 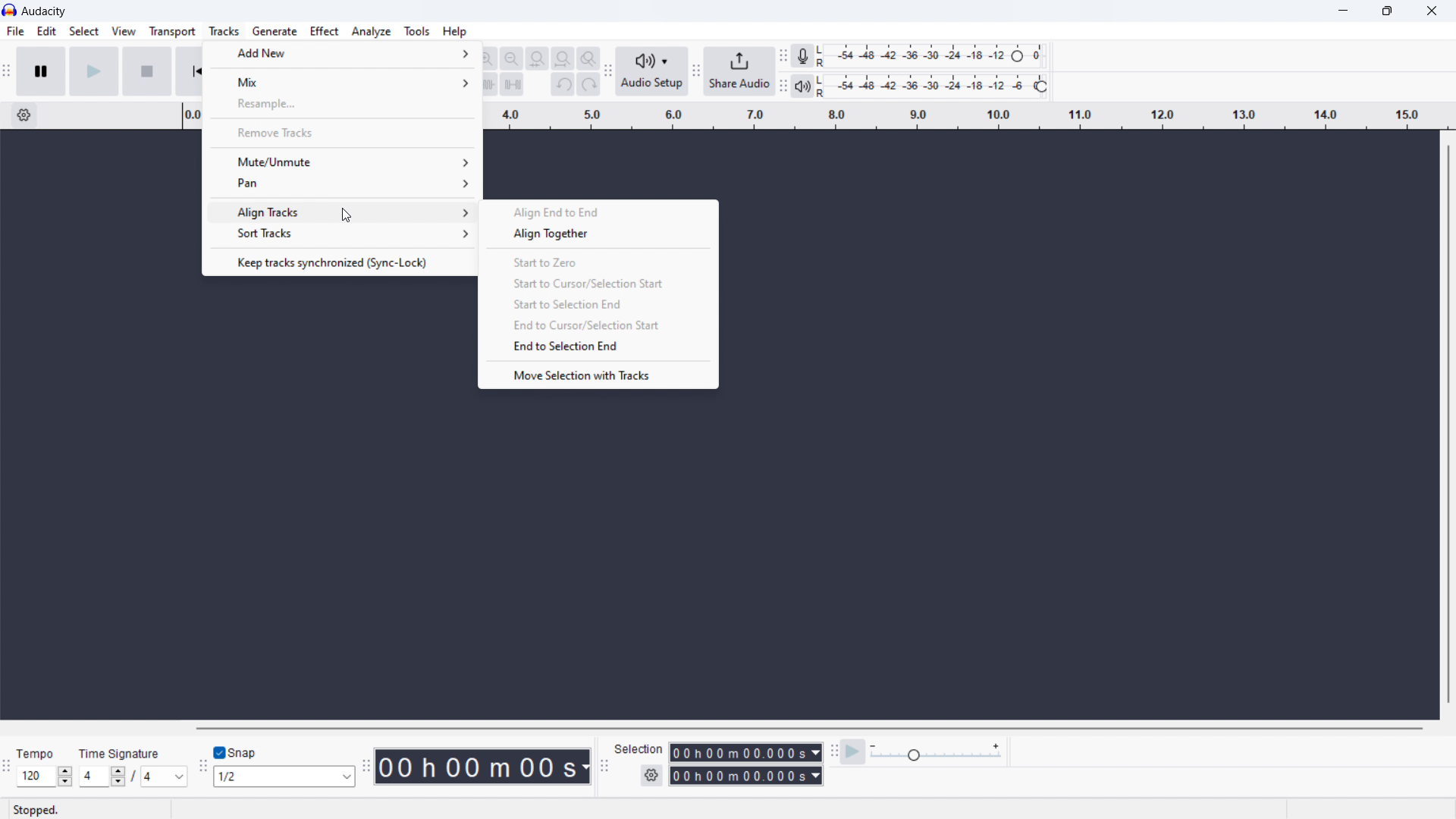 What do you see at coordinates (563, 58) in the screenshot?
I see `fit project to width` at bounding box center [563, 58].